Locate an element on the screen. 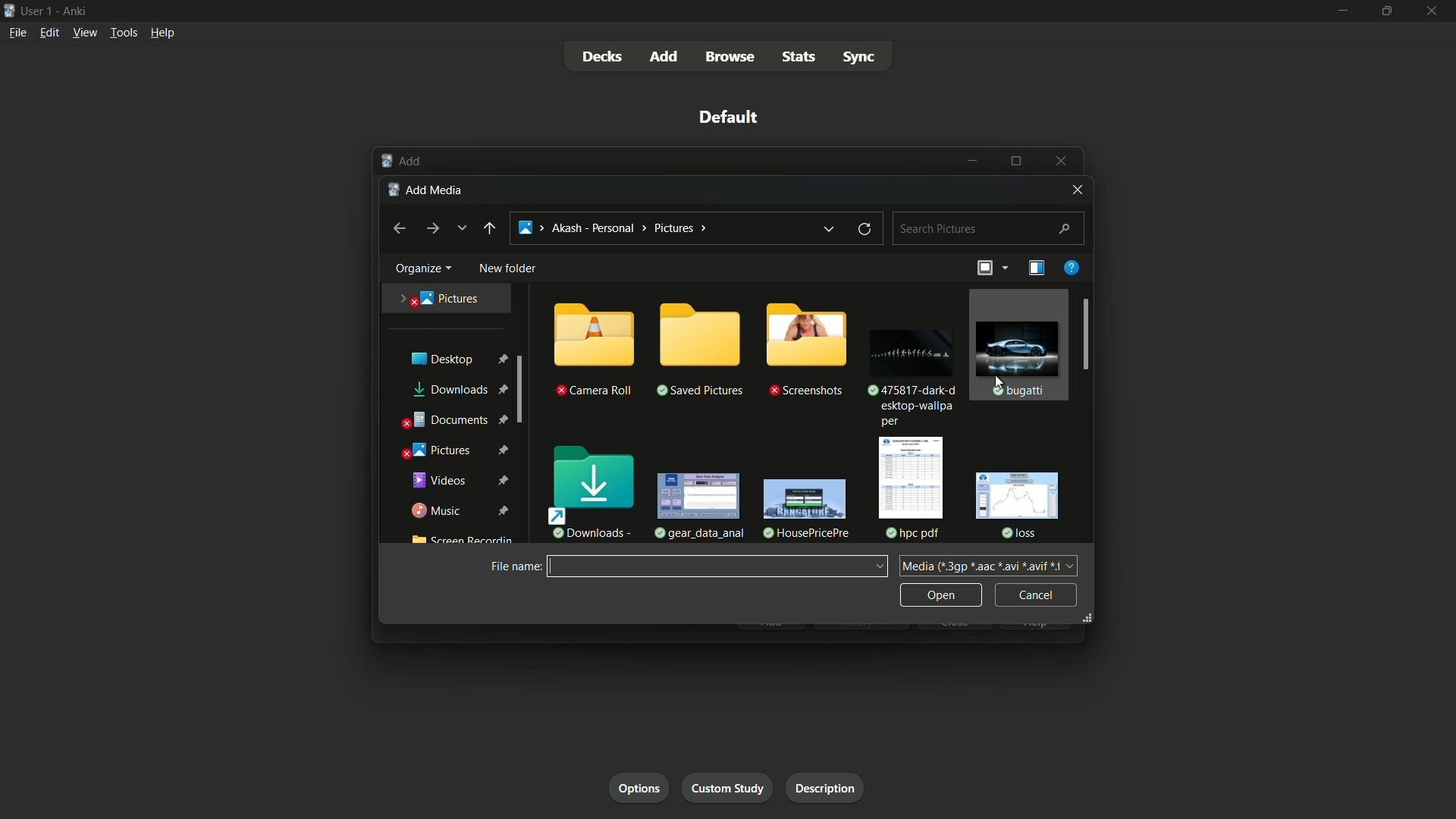 The image size is (1456, 819). add is located at coordinates (662, 56).